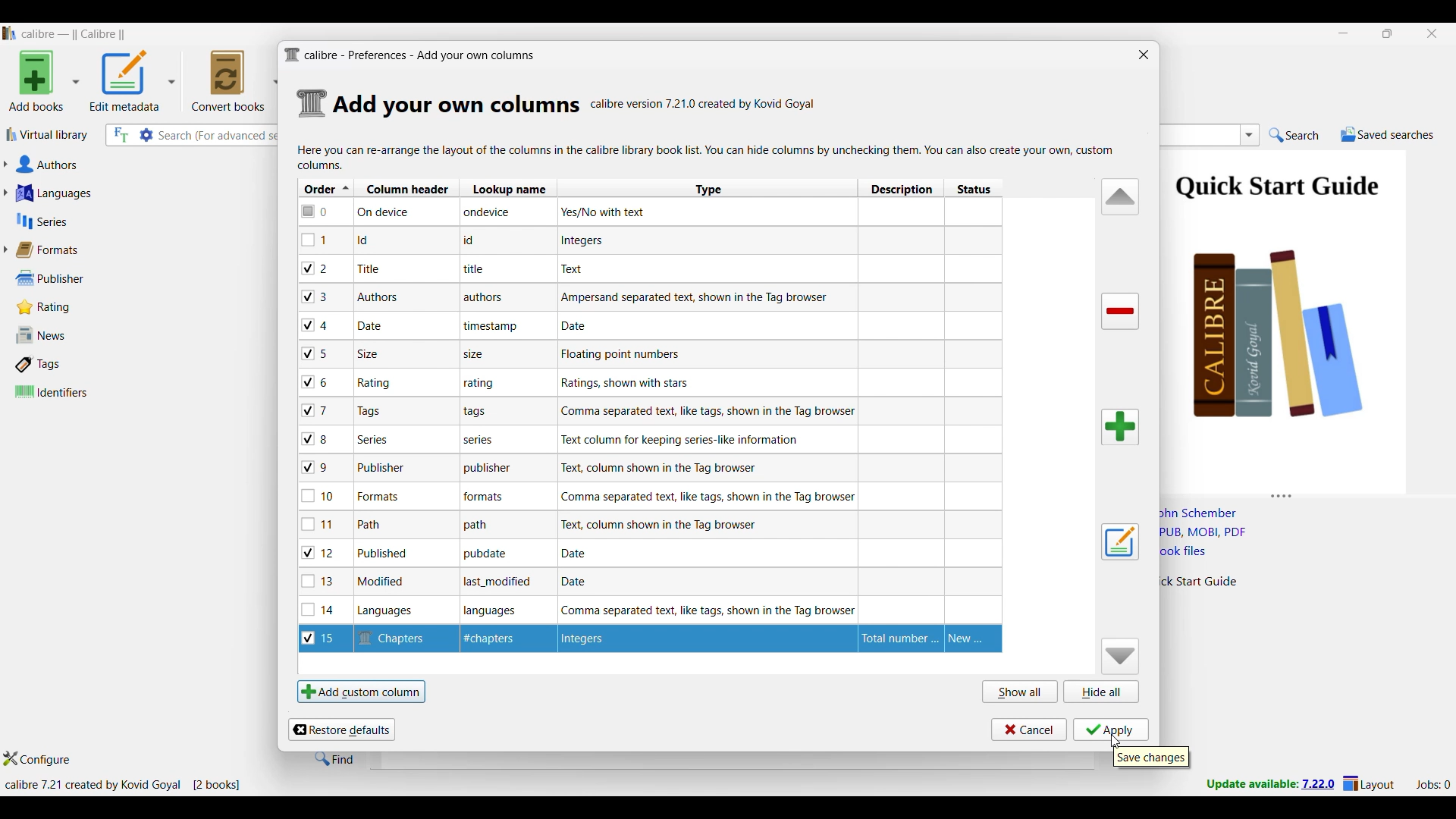 The width and height of the screenshot is (1456, 819). What do you see at coordinates (973, 188) in the screenshot?
I see `Status column` at bounding box center [973, 188].